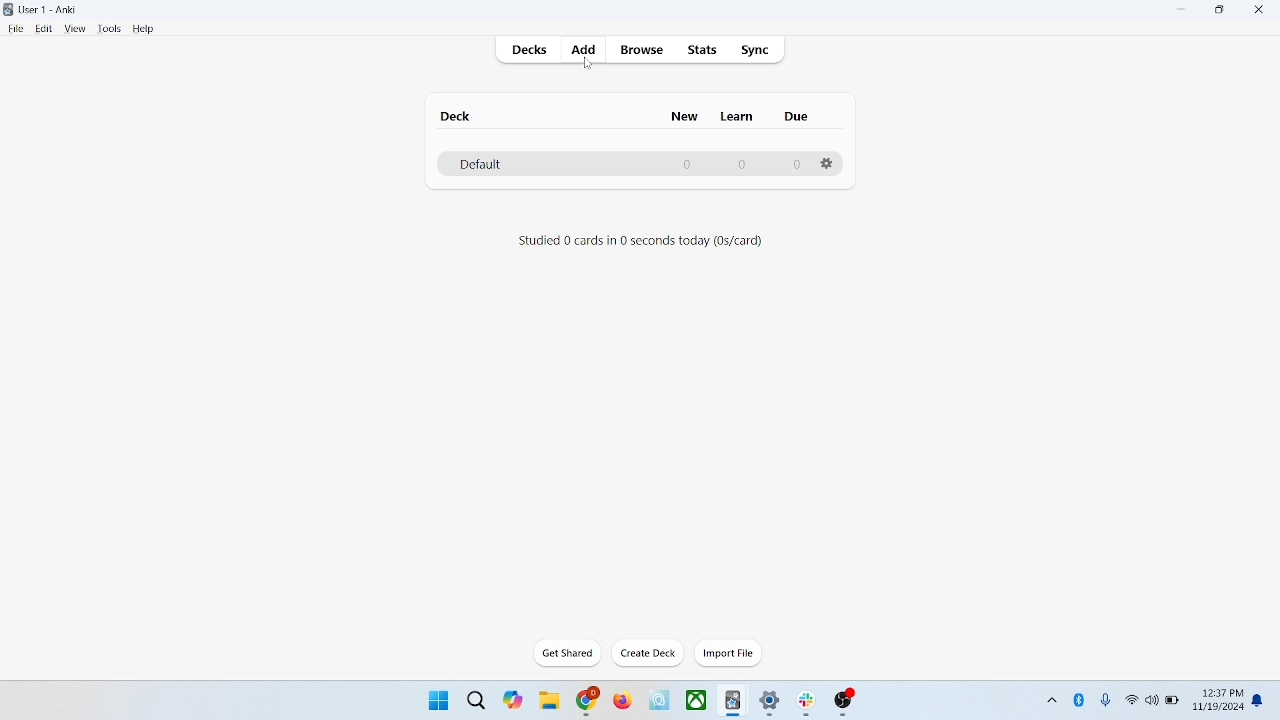 This screenshot has width=1280, height=720. What do you see at coordinates (1183, 10) in the screenshot?
I see `minimize` at bounding box center [1183, 10].